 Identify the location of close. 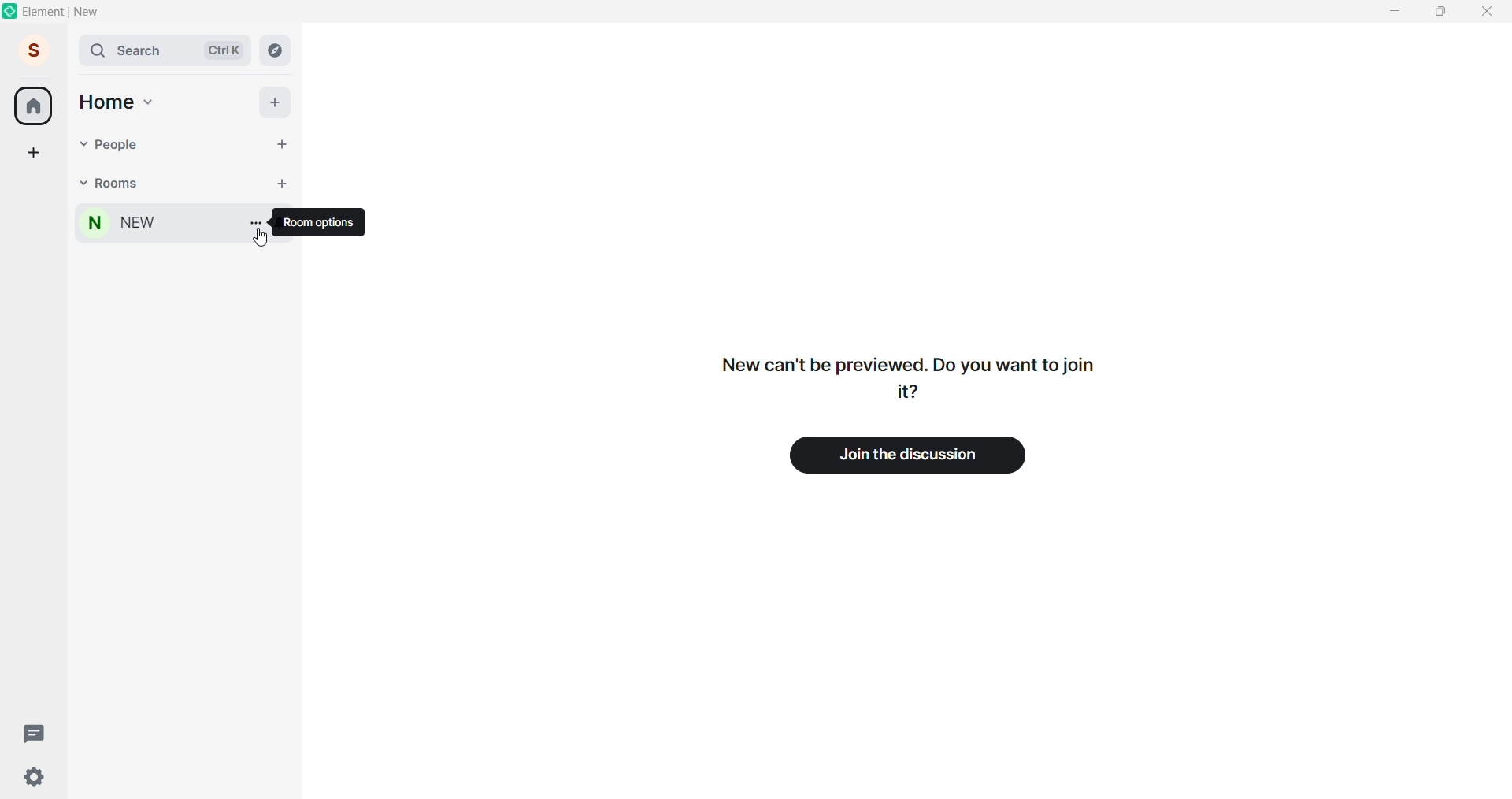
(1490, 11).